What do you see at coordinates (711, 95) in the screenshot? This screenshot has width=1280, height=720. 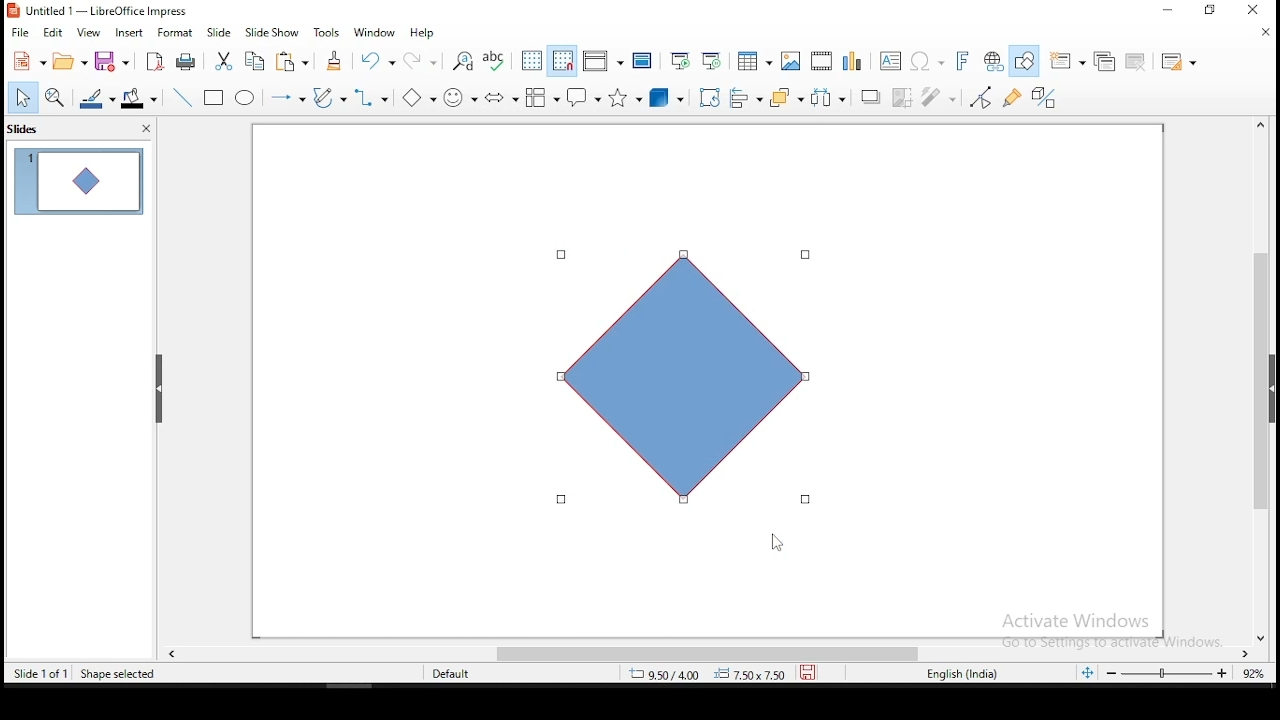 I see `rotate` at bounding box center [711, 95].